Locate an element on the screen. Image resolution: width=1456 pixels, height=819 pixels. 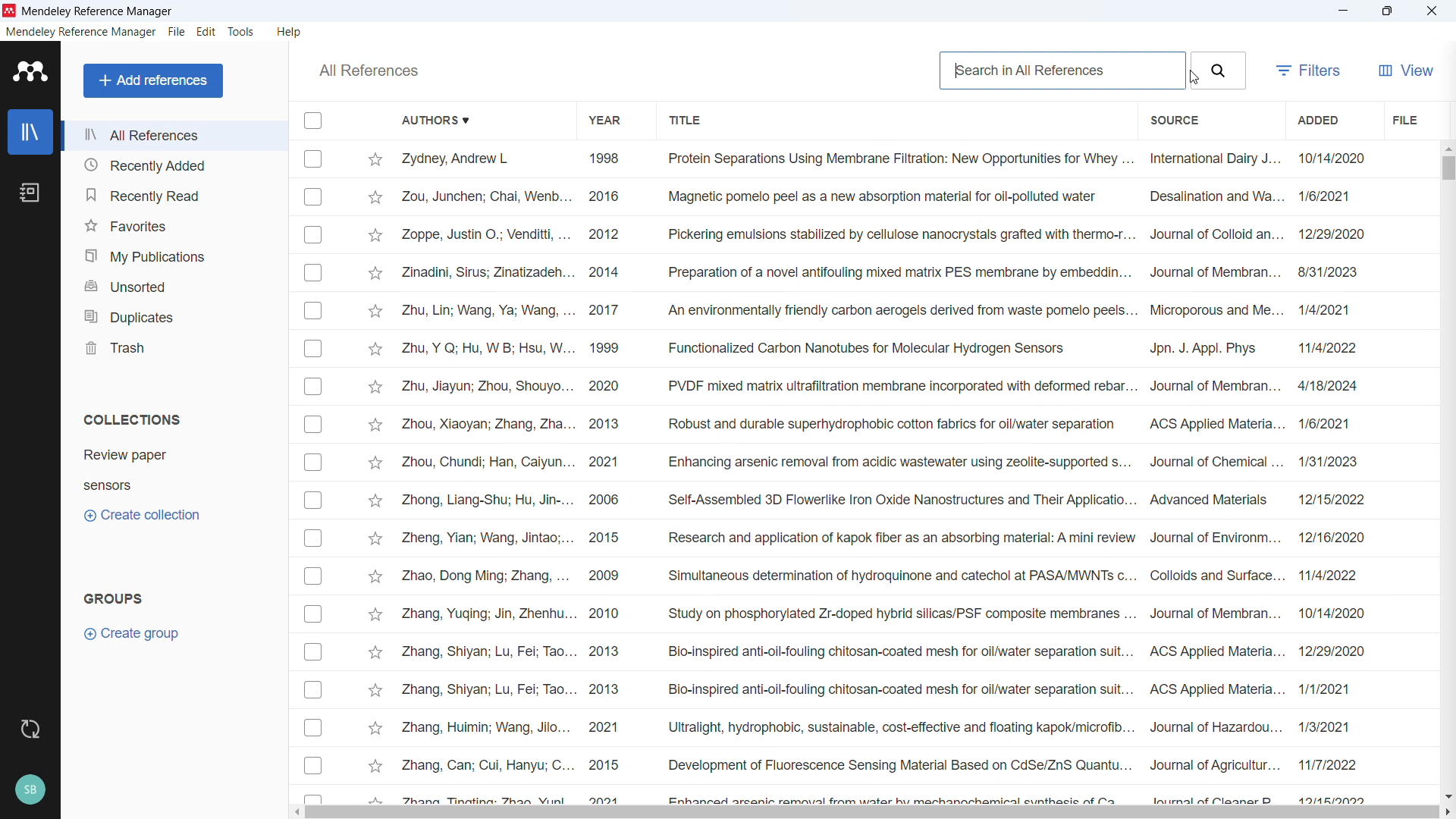
Profile  is located at coordinates (30, 791).